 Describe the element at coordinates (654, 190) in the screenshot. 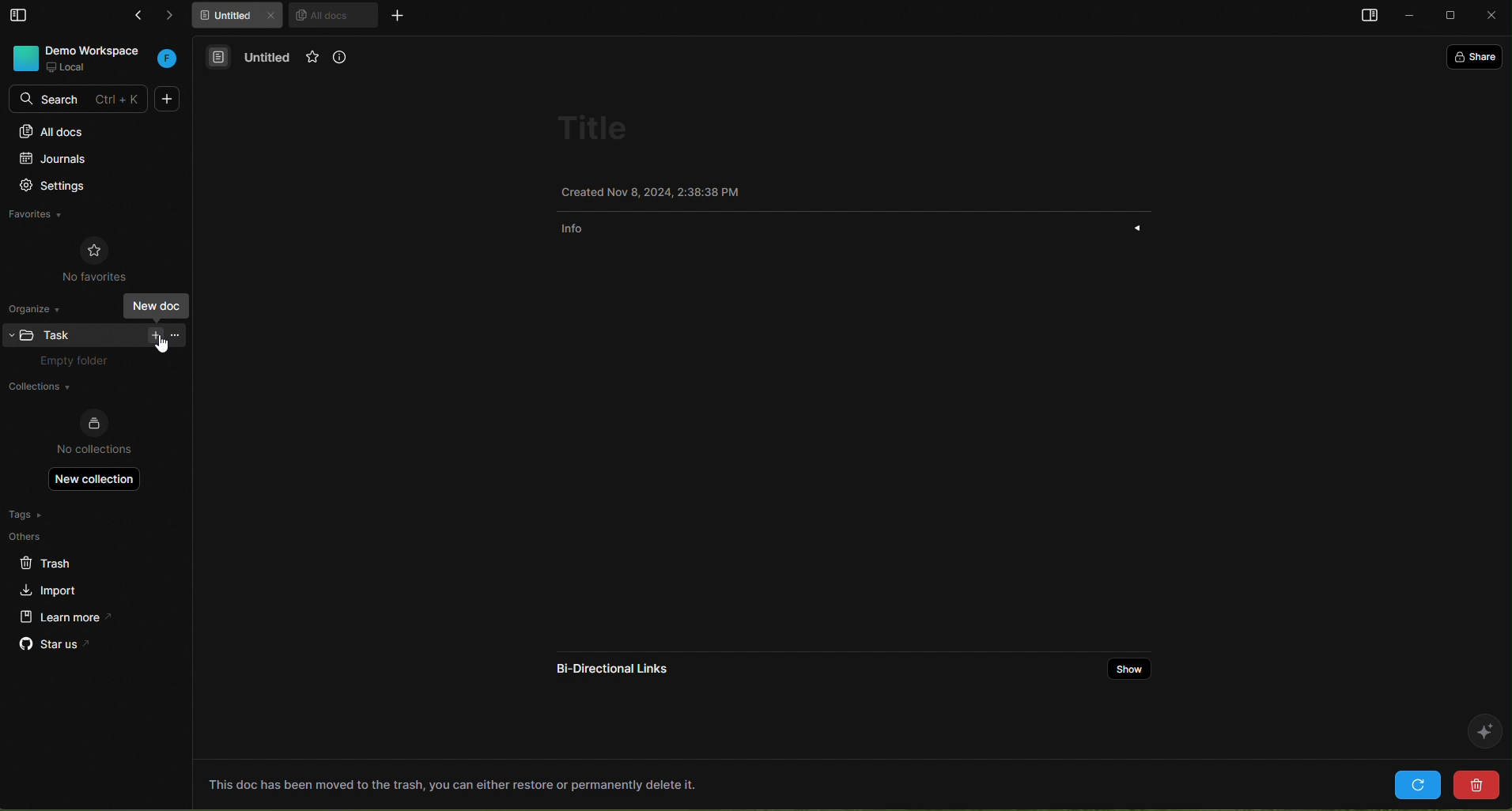

I see `Created Nov 8, 2024, 2:38:38 PM` at that location.